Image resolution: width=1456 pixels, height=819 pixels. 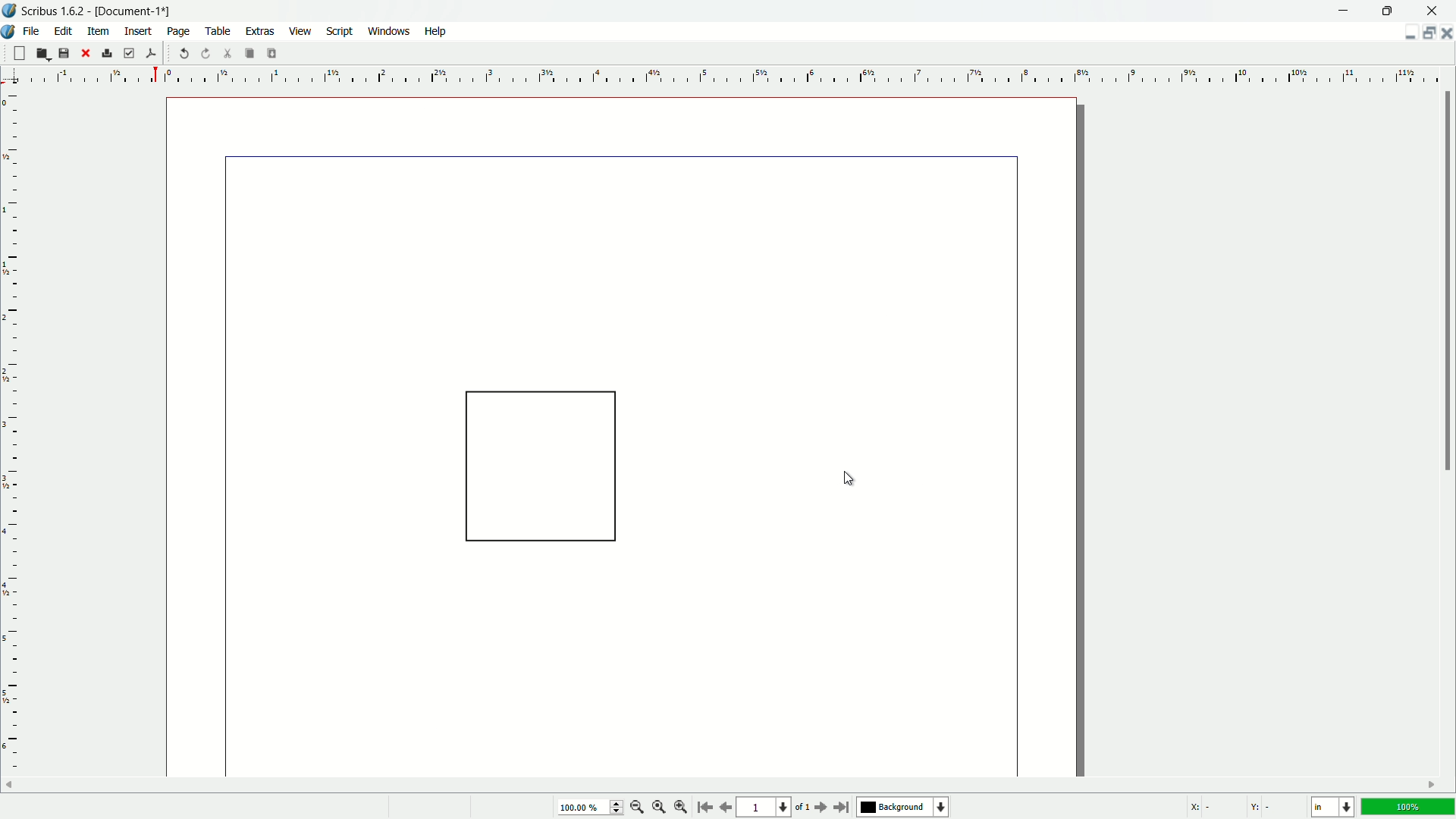 What do you see at coordinates (1385, 11) in the screenshot?
I see `maximize` at bounding box center [1385, 11].